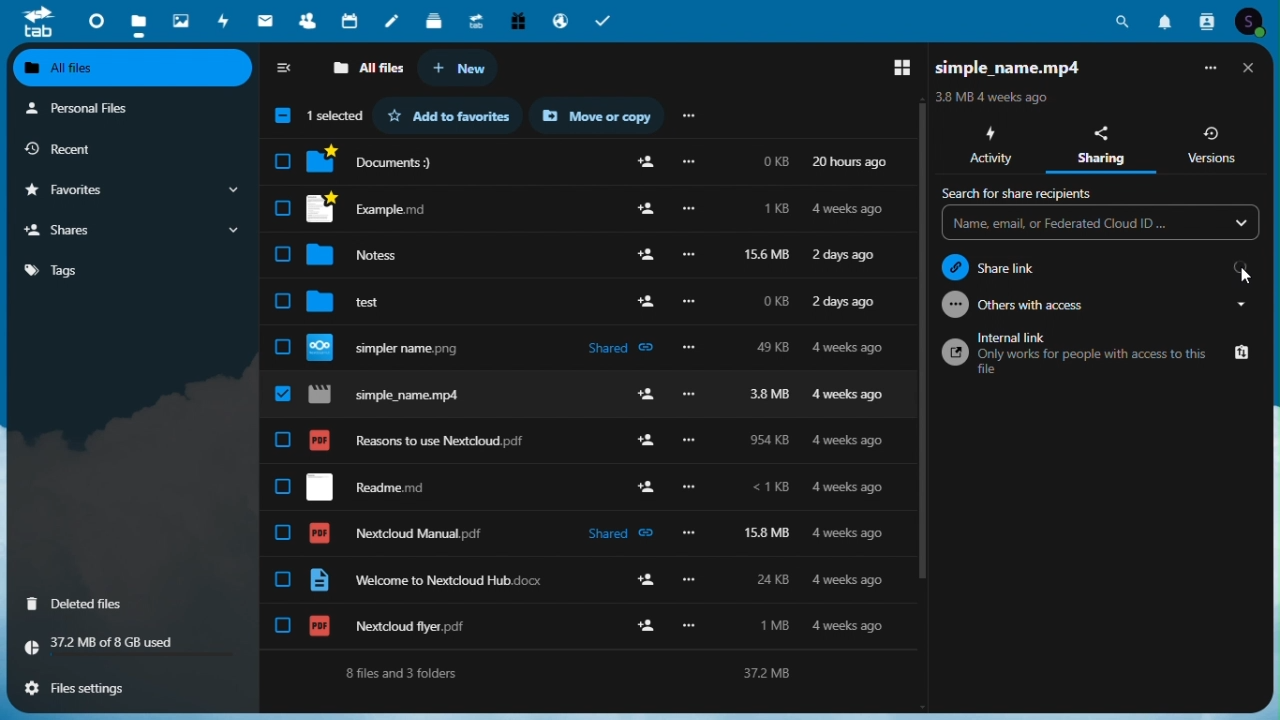  Describe the element at coordinates (1205, 21) in the screenshot. I see `Contacts` at that location.